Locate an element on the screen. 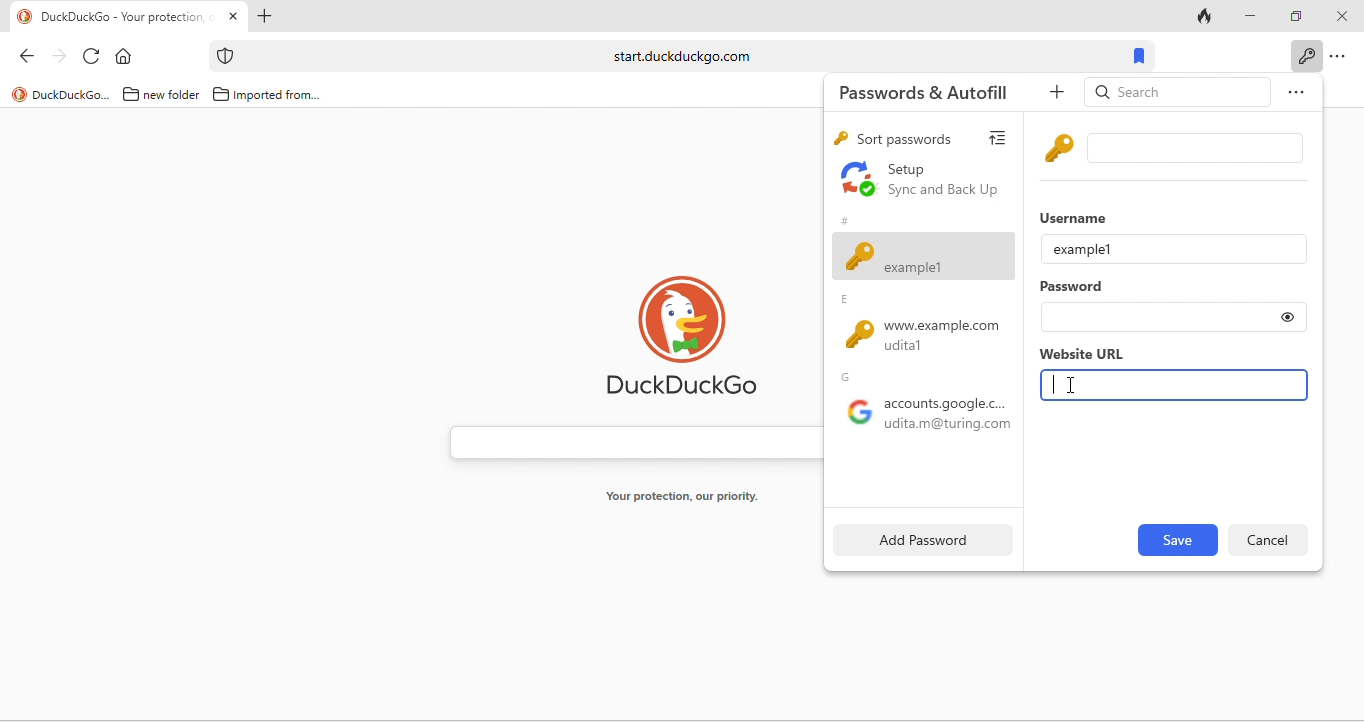  view is located at coordinates (1003, 135).